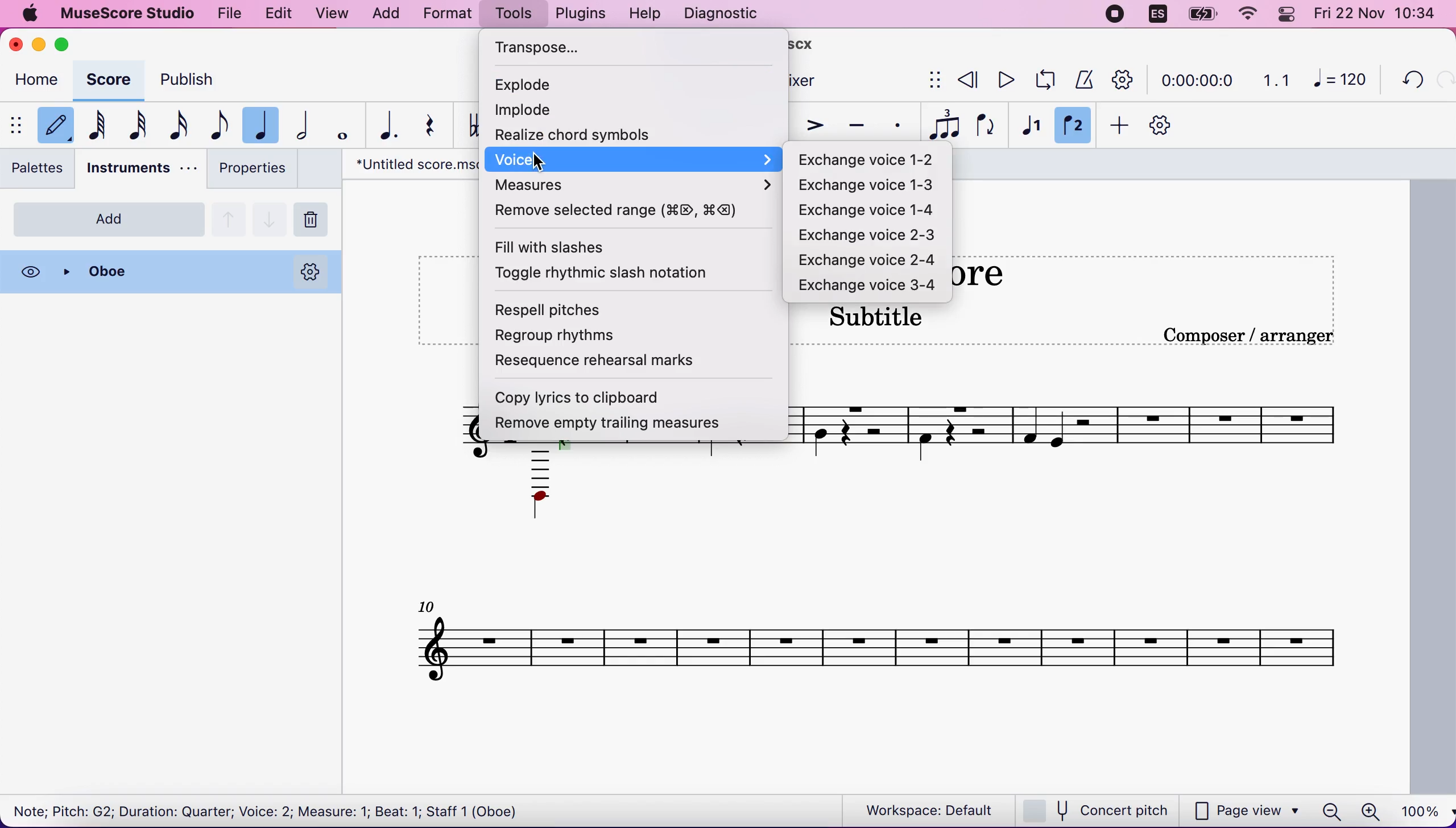 The image size is (1456, 828). I want to click on Note; Pitch: G2; Duration: Quarter; Voice: 2; Measure: 1; Beat: 1; Staff 1 (Oboe), so click(275, 810).